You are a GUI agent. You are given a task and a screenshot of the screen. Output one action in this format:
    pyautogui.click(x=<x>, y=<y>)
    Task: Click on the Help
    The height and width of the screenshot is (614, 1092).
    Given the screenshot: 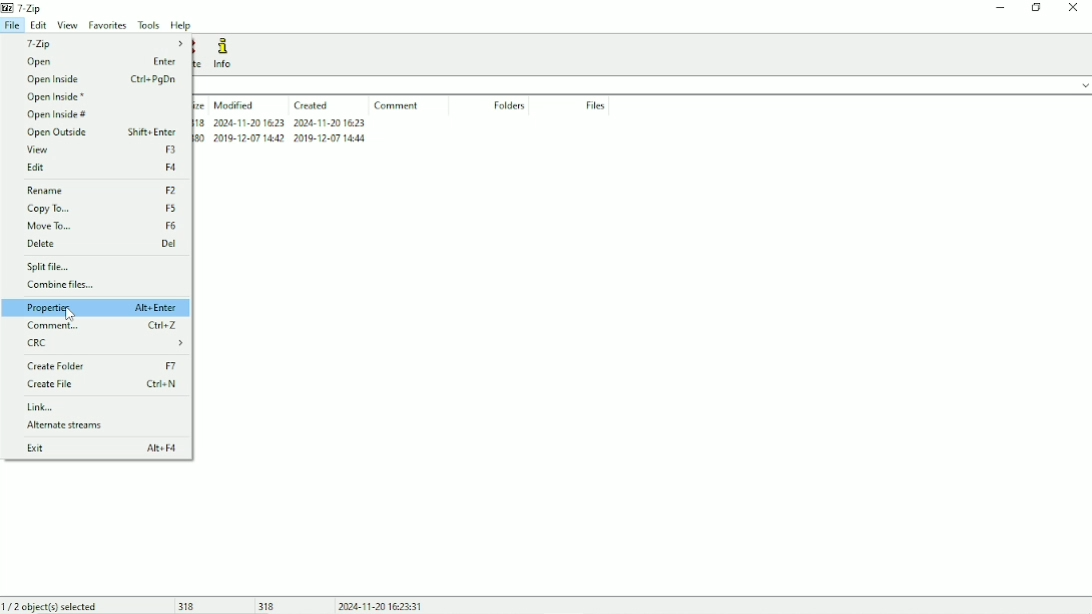 What is the action you would take?
    pyautogui.click(x=182, y=25)
    